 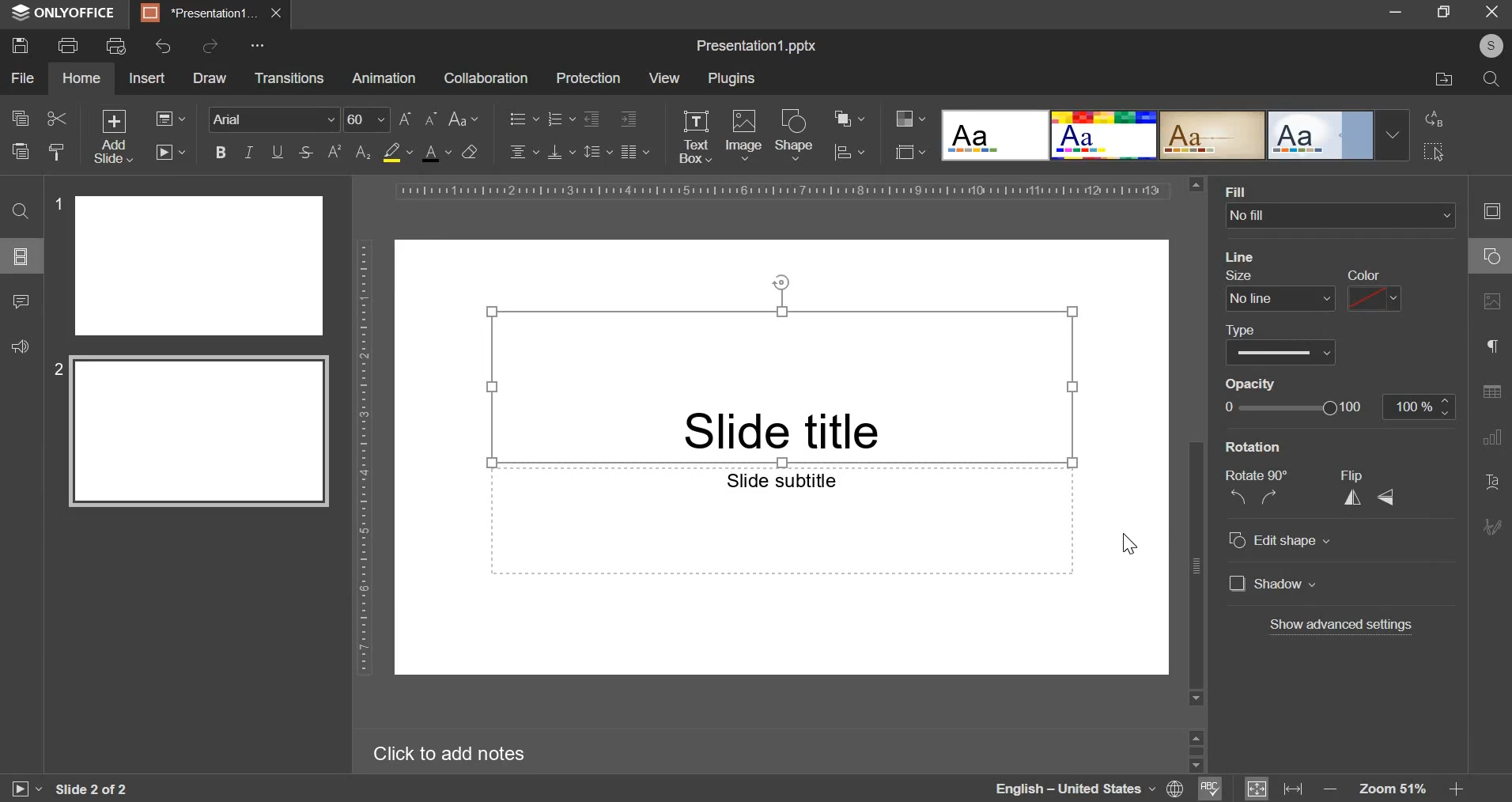 I want to click on zoom level, so click(x=1396, y=789).